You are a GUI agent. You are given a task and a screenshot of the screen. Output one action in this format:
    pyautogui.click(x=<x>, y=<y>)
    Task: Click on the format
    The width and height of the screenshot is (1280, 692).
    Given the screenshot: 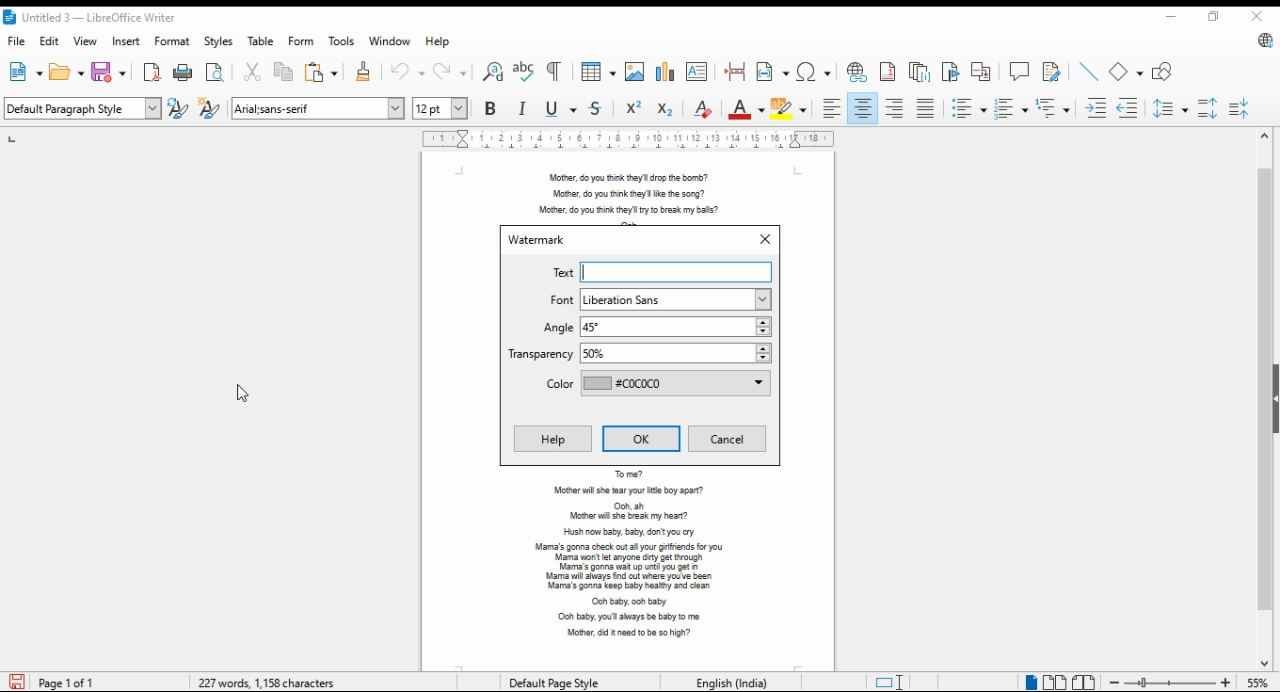 What is the action you would take?
    pyautogui.click(x=172, y=40)
    